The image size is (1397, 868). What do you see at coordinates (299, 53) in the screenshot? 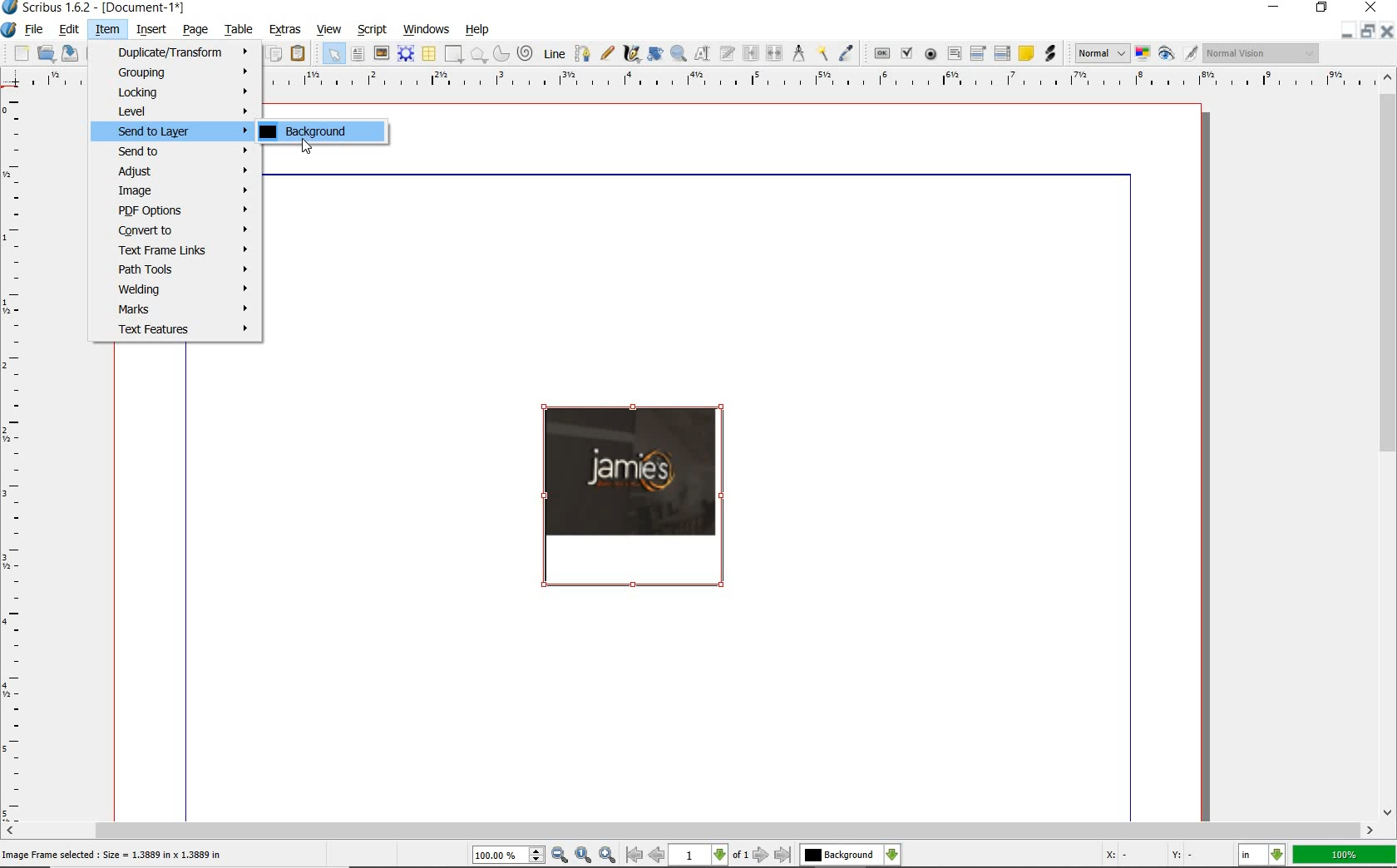
I see `paste` at bounding box center [299, 53].